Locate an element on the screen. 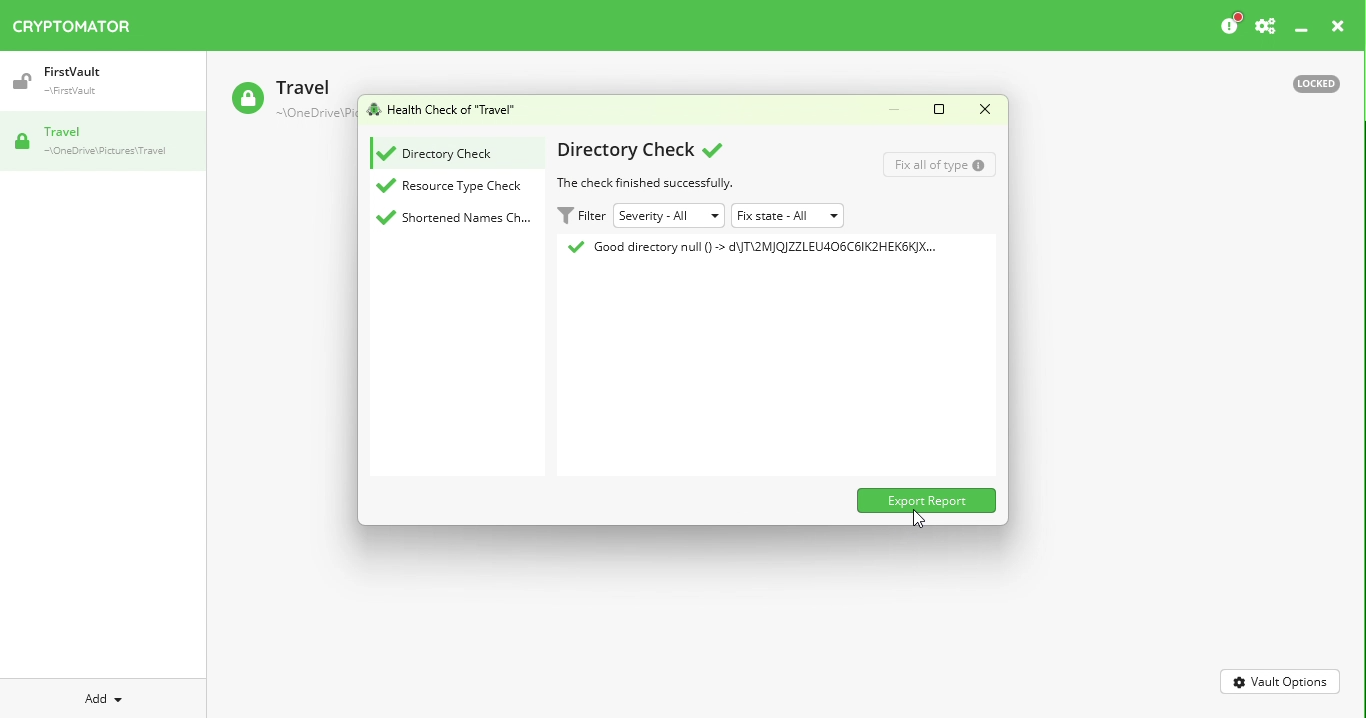  Health Checks of "Travel" is located at coordinates (442, 109).